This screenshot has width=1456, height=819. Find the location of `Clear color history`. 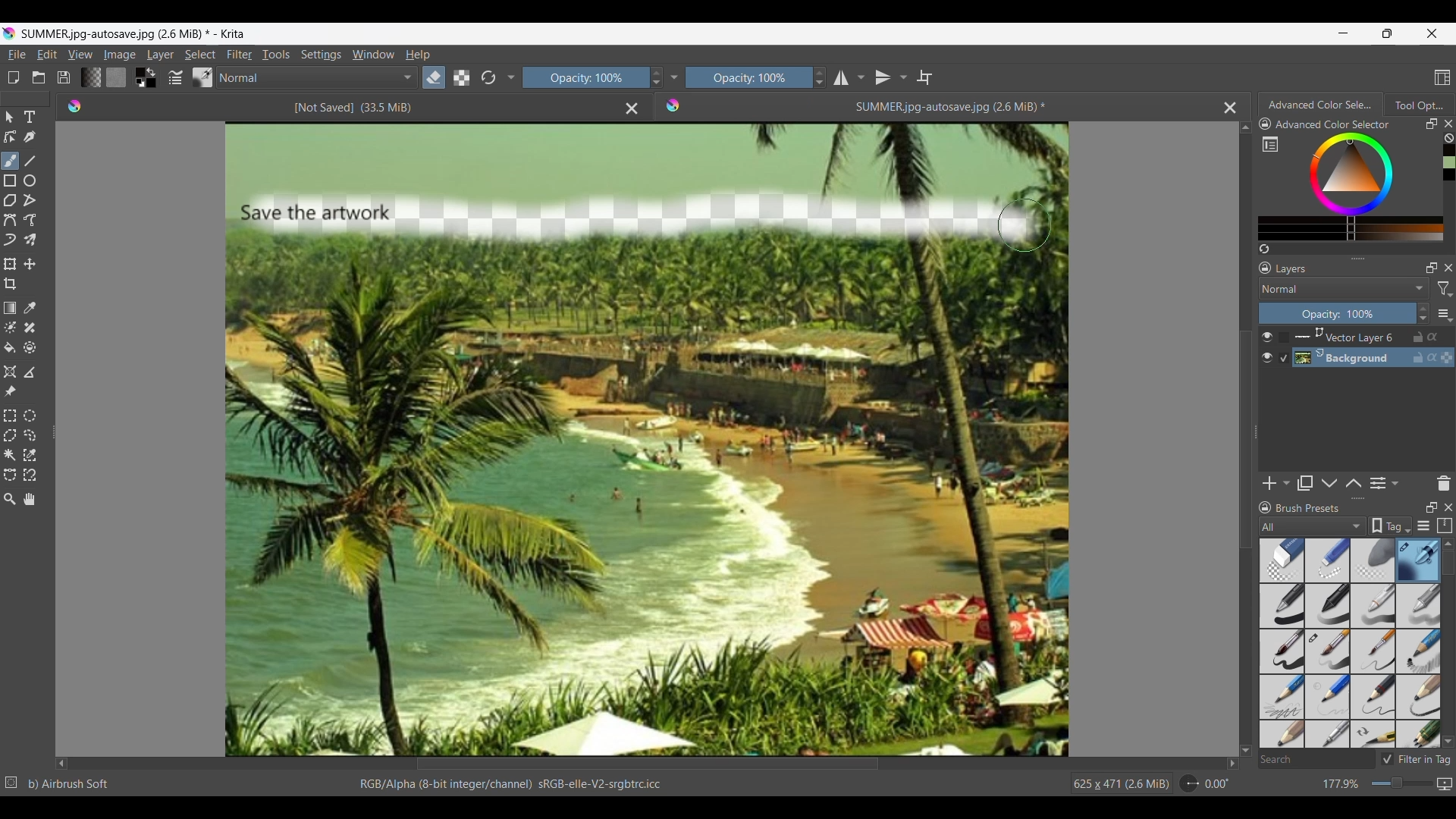

Clear color history is located at coordinates (1448, 138).